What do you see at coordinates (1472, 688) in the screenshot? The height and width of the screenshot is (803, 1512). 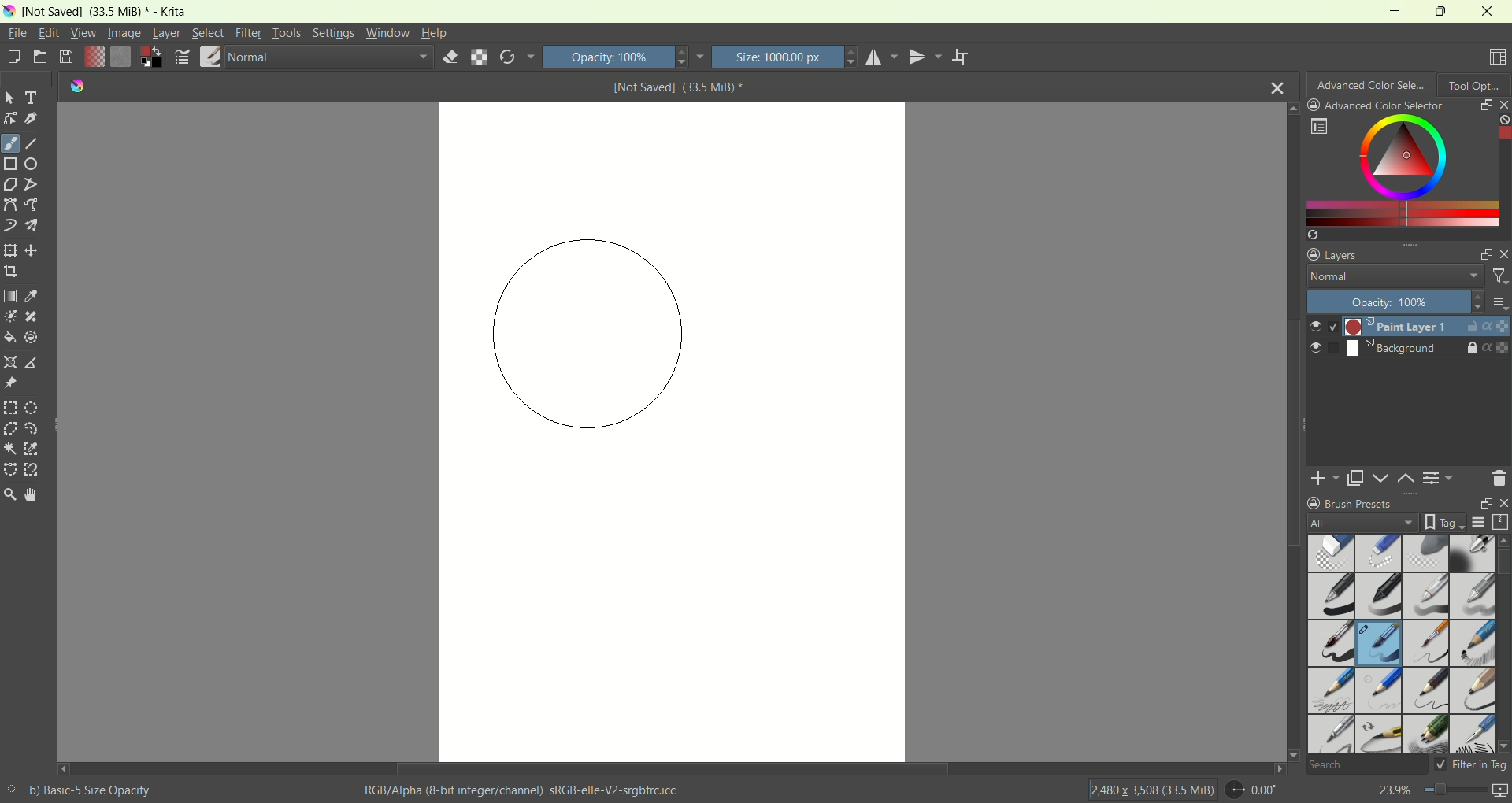 I see `pencil 3 large 4 b` at bounding box center [1472, 688].